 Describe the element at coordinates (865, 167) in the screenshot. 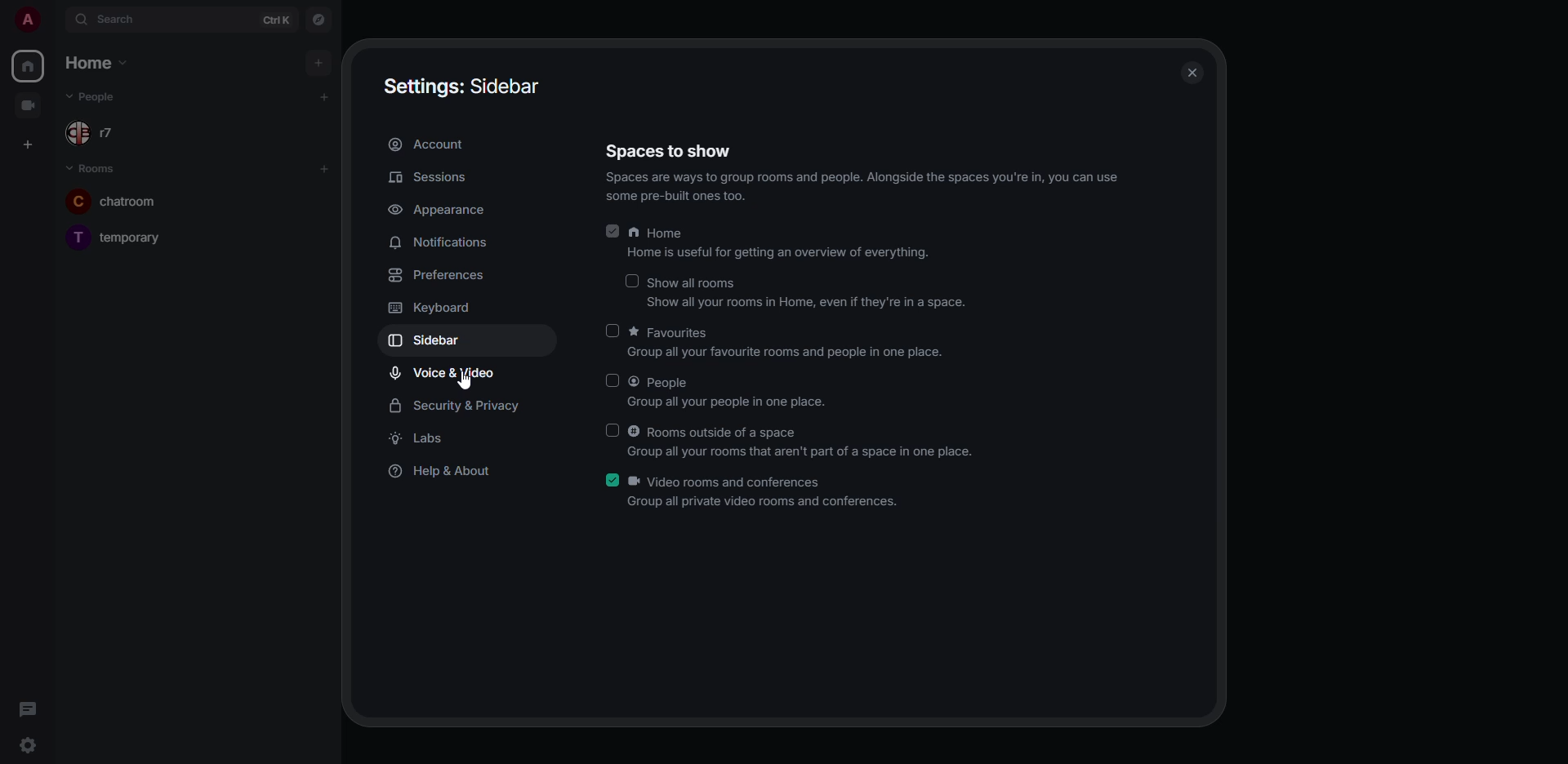

I see `spaces to show` at that location.